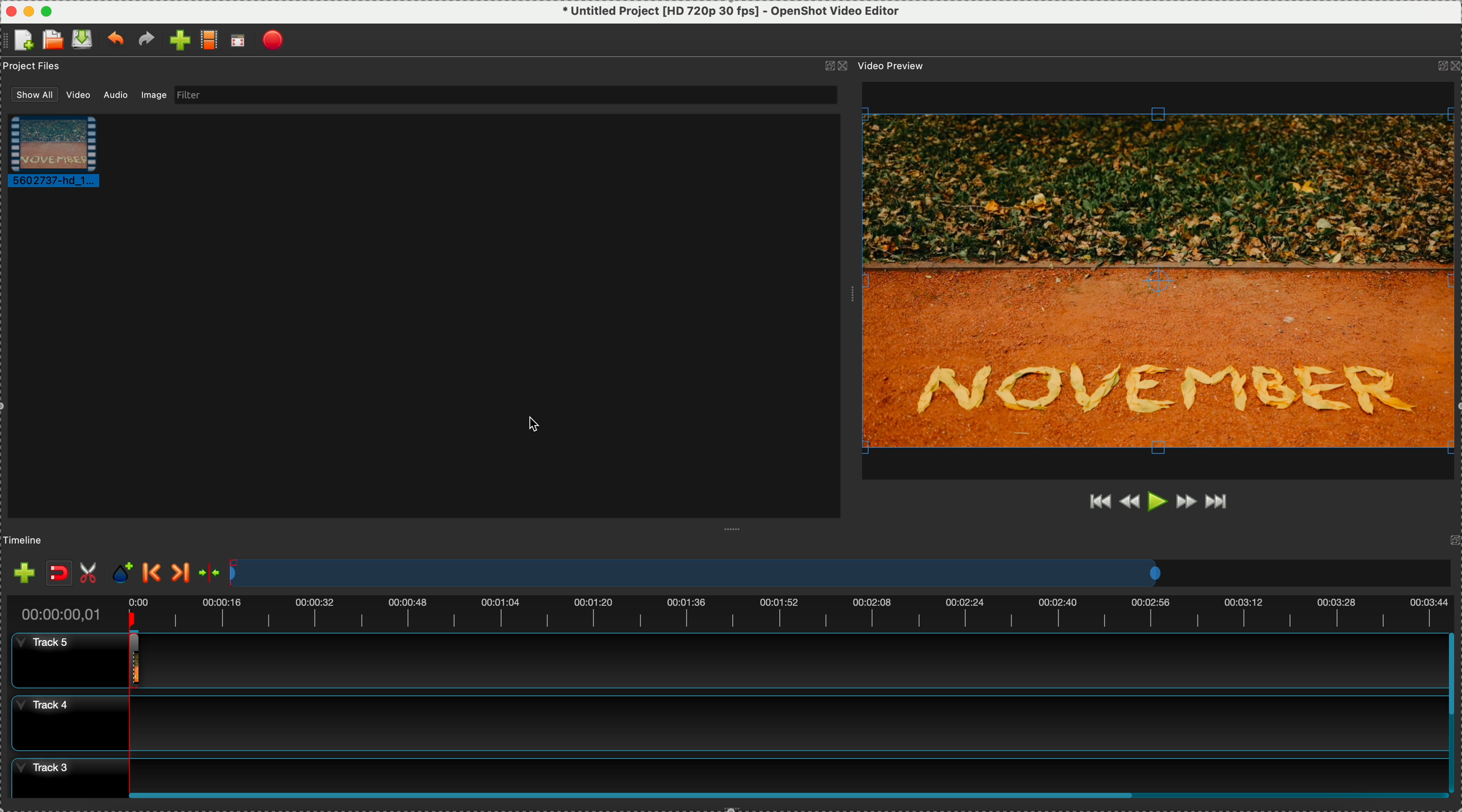 Image resolution: width=1462 pixels, height=812 pixels. Describe the element at coordinates (724, 660) in the screenshot. I see `track 5` at that location.